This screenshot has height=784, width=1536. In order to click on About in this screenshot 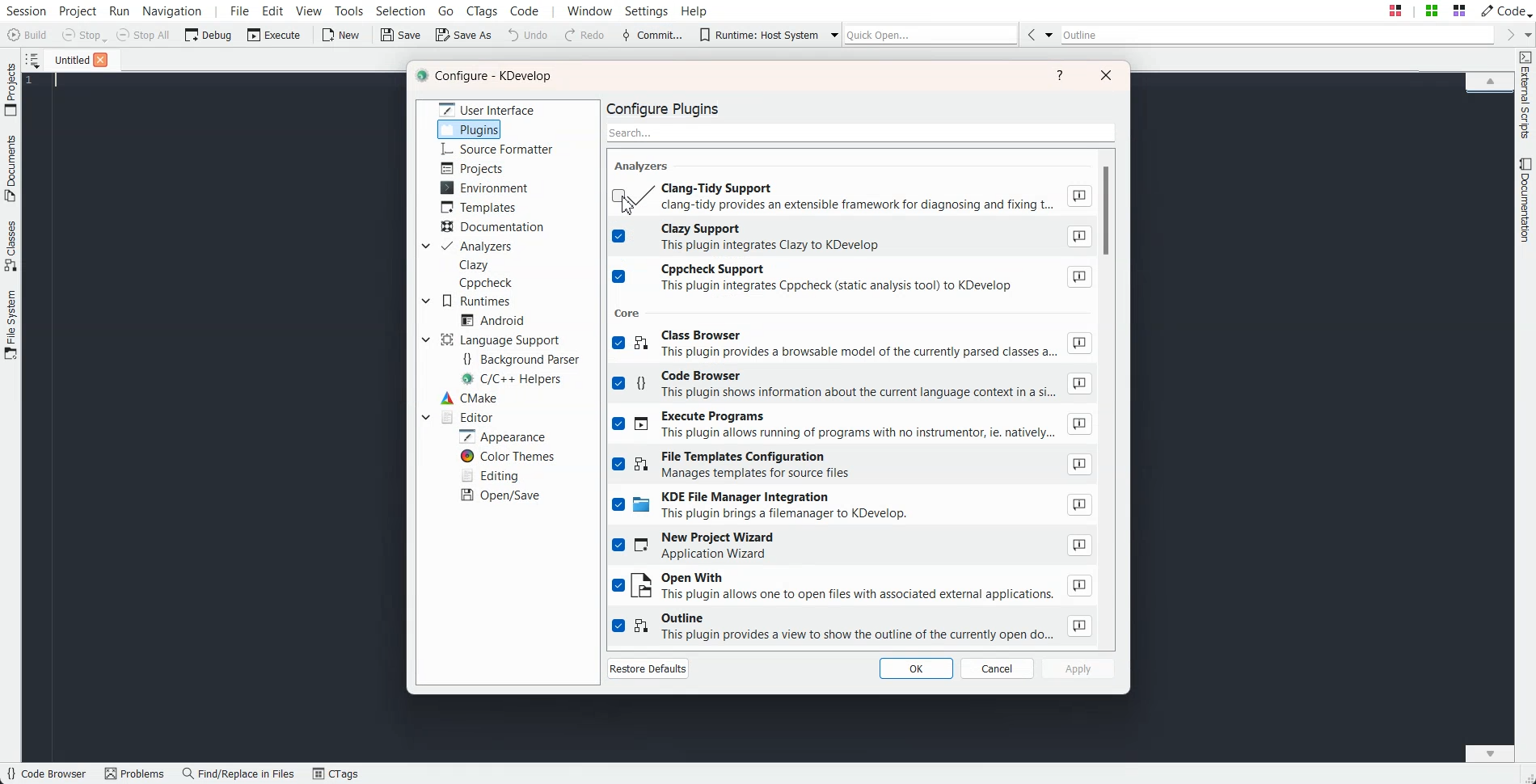, I will do `click(1081, 544)`.